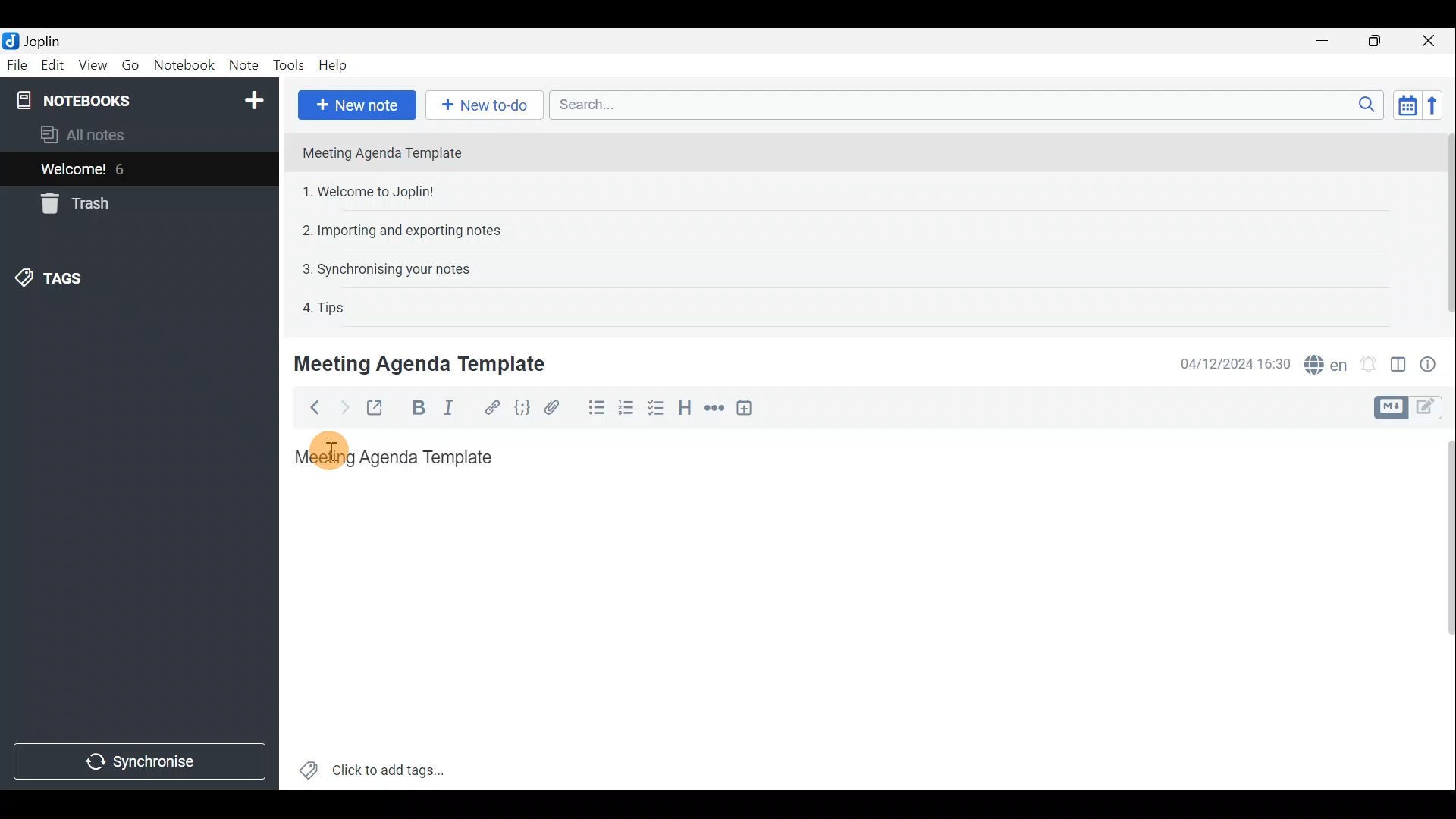 Image resolution: width=1456 pixels, height=819 pixels. Describe the element at coordinates (524, 409) in the screenshot. I see `Code` at that location.